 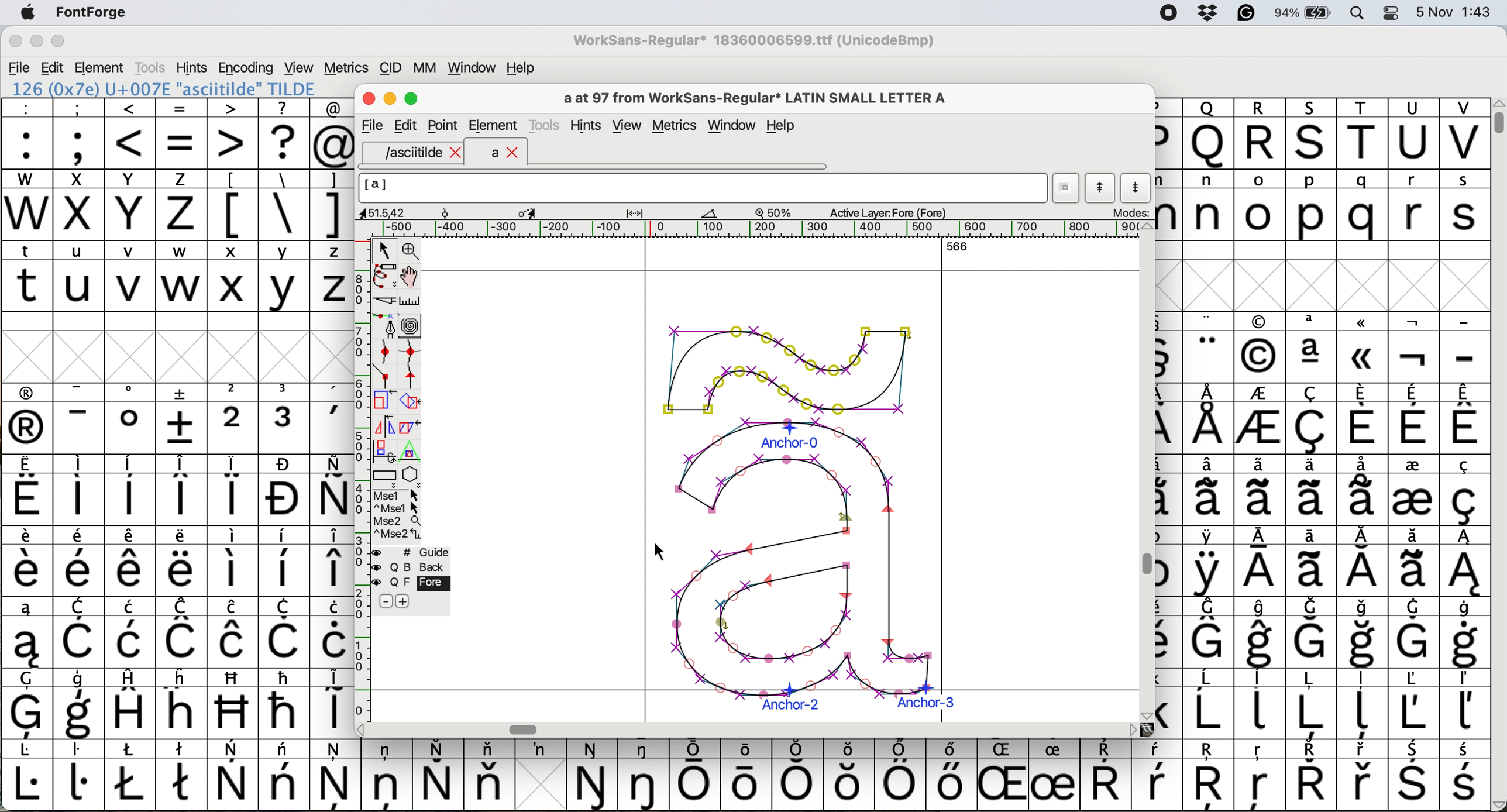 I want to click on 126 (0x7e) U+007E "asciitilde" TILDE, so click(x=165, y=88).